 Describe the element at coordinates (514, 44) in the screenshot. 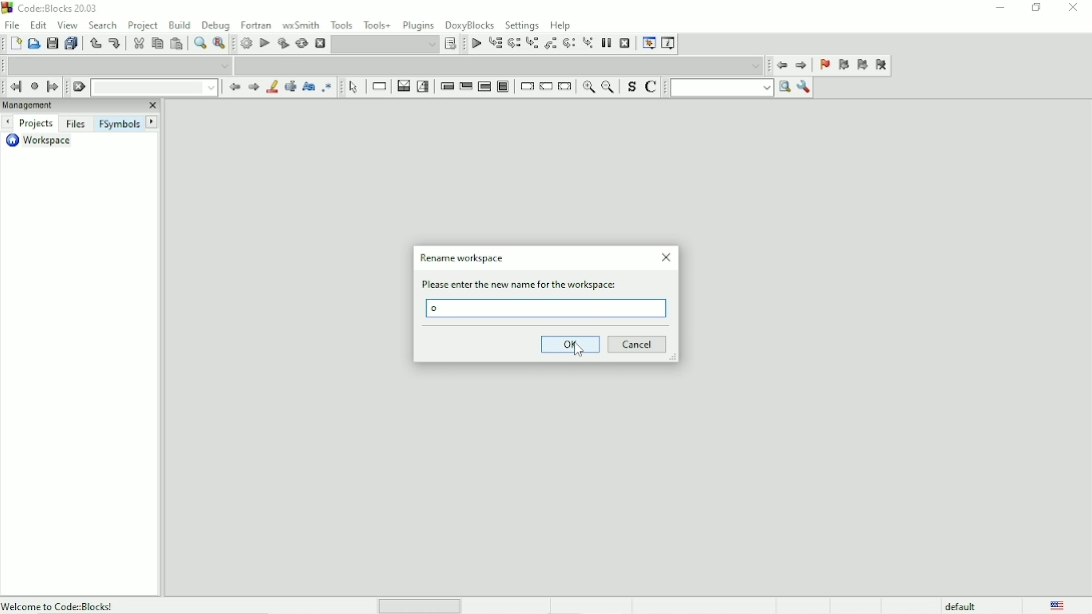

I see `Next line` at that location.